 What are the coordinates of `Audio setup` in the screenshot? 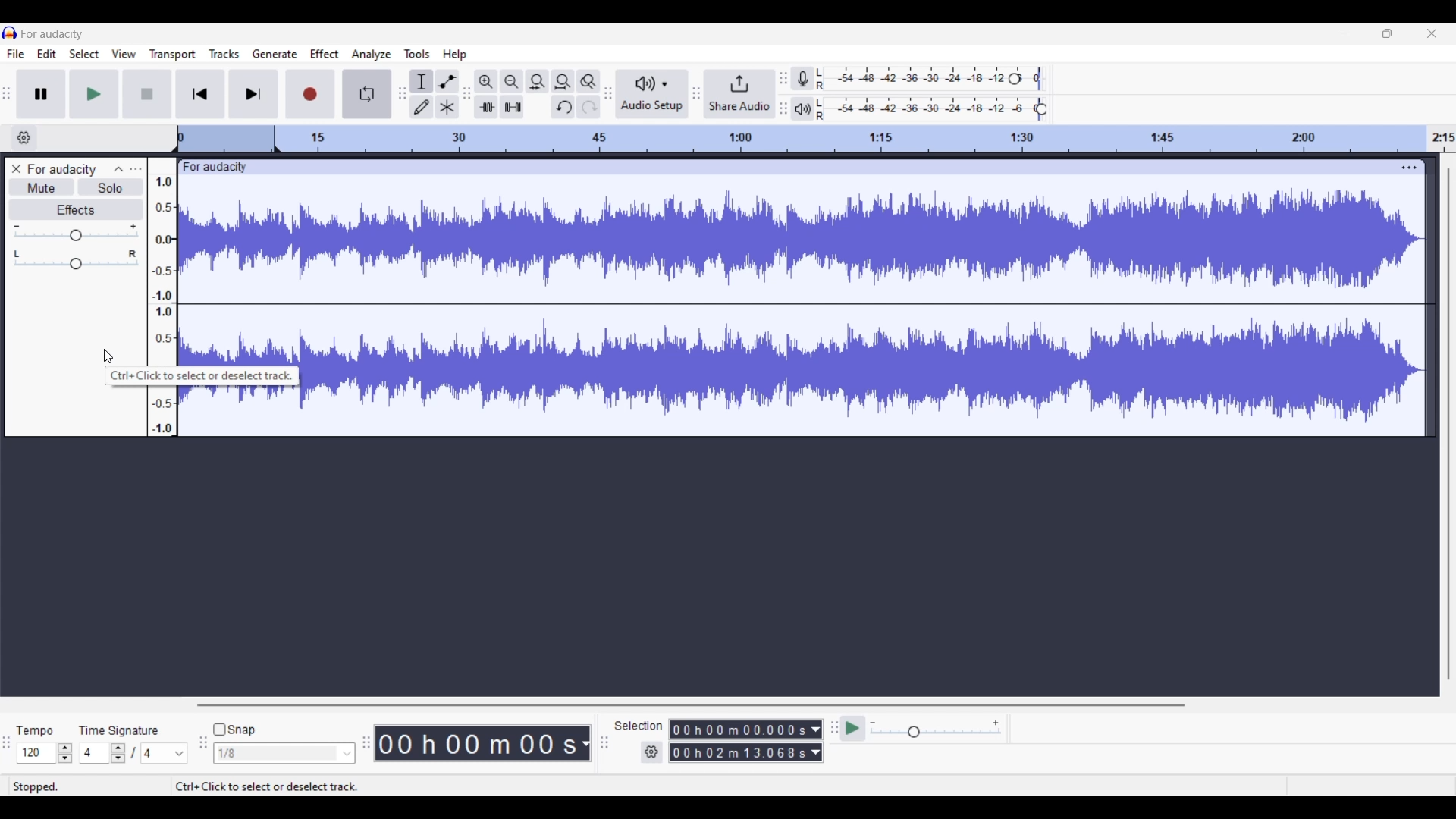 It's located at (652, 94).